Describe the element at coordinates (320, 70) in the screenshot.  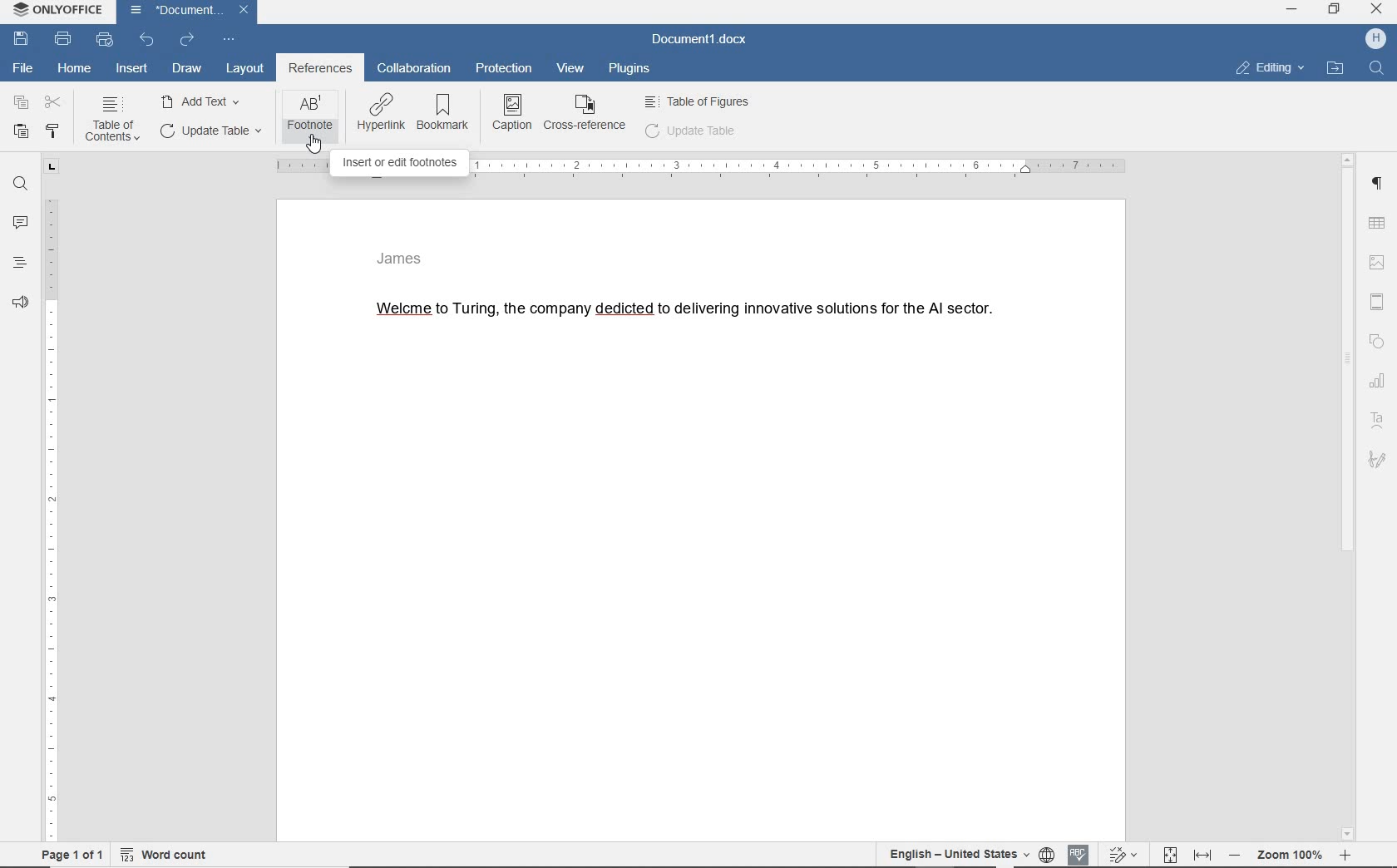
I see `references` at that location.